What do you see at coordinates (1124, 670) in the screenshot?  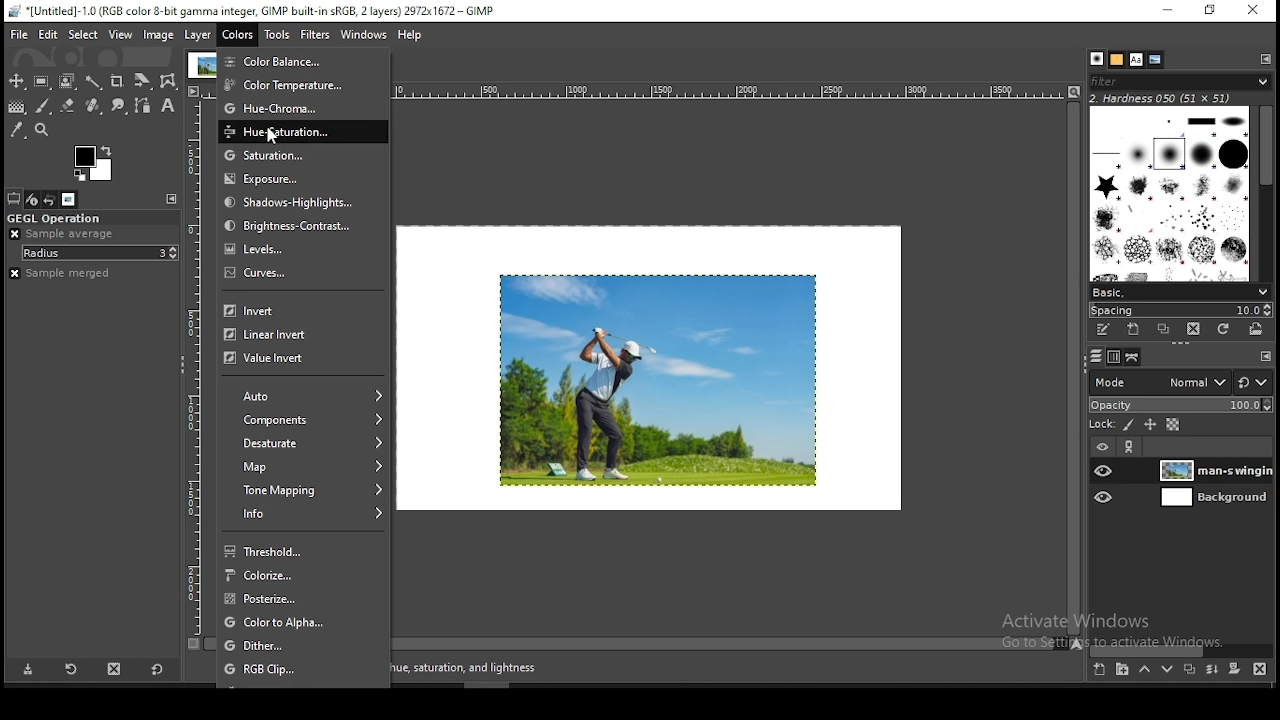 I see `new layer group` at bounding box center [1124, 670].